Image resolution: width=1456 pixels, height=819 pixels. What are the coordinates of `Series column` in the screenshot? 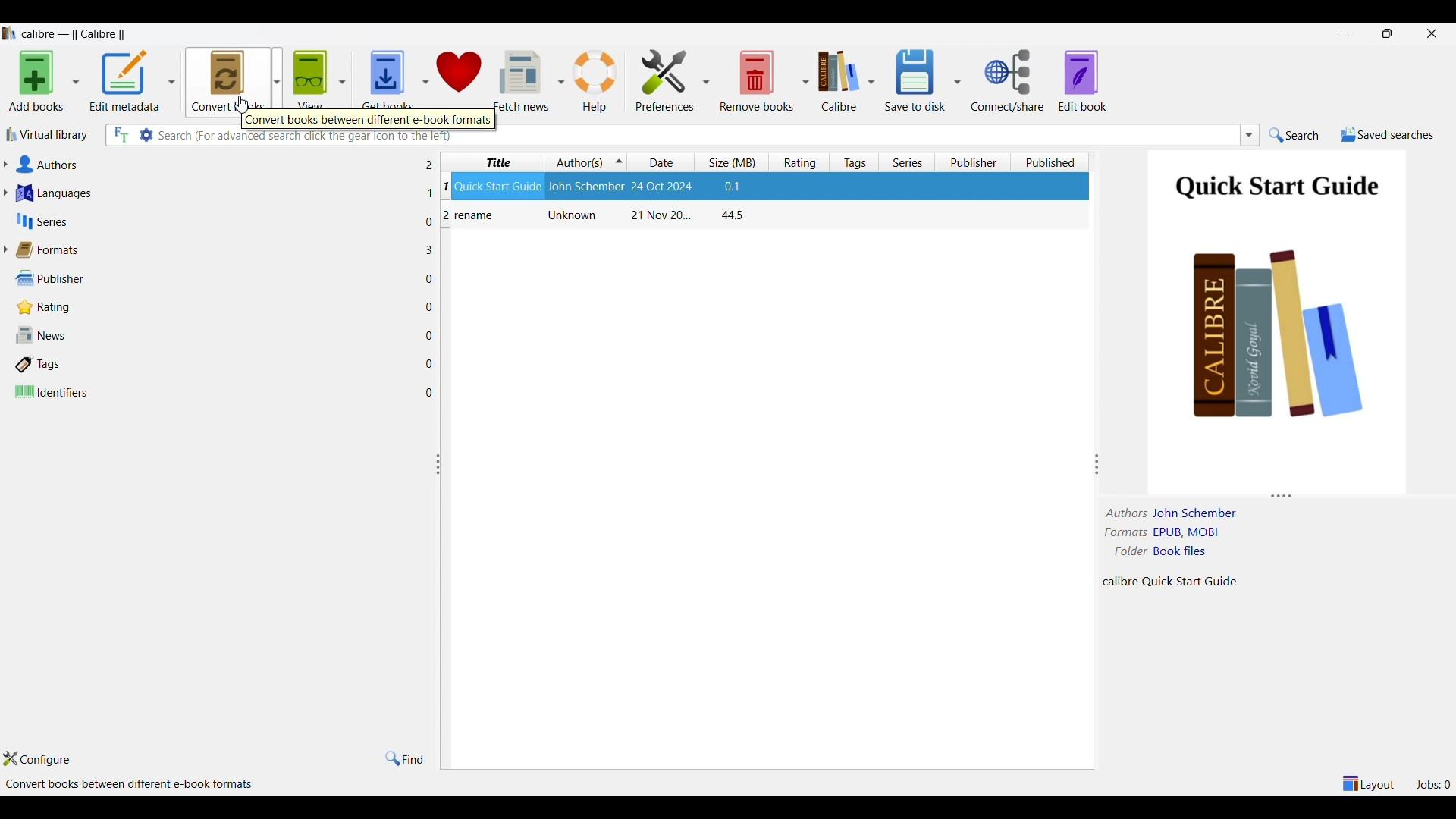 It's located at (907, 162).